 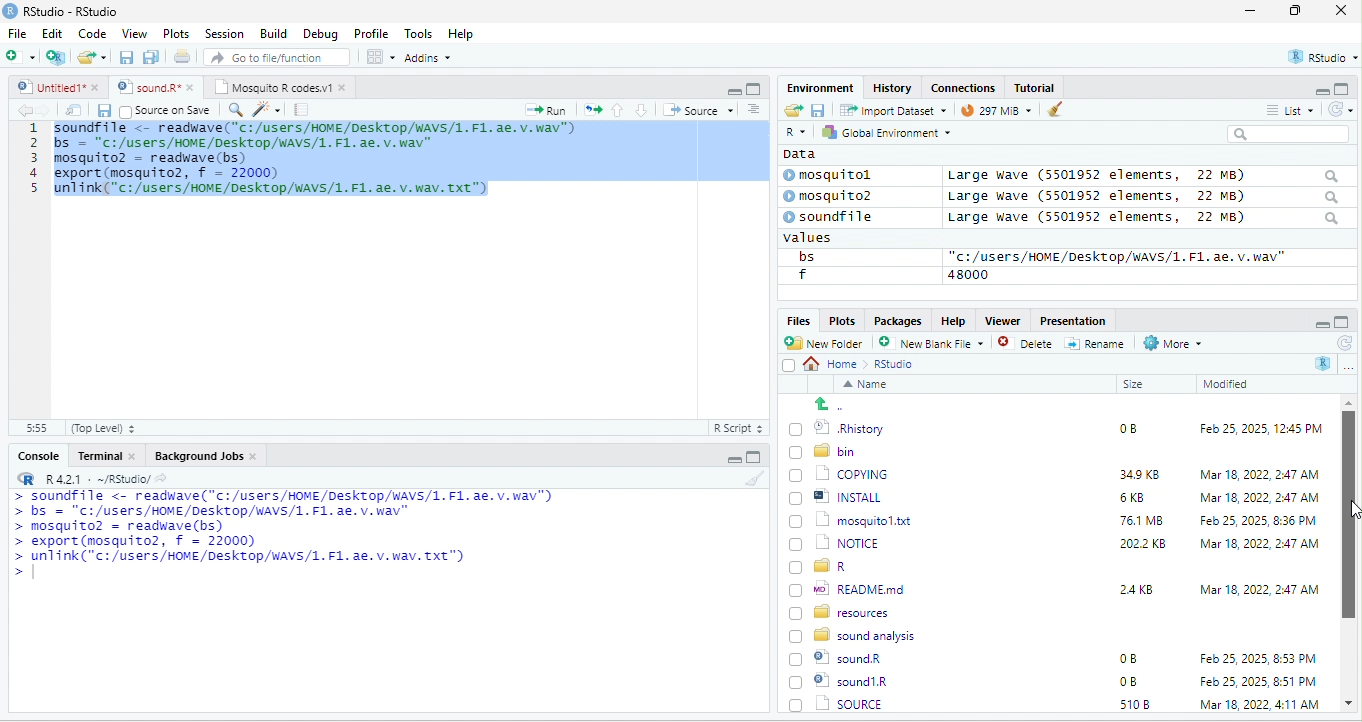 What do you see at coordinates (1254, 499) in the screenshot?
I see `Mar 18, 2022, 2:47 AM` at bounding box center [1254, 499].